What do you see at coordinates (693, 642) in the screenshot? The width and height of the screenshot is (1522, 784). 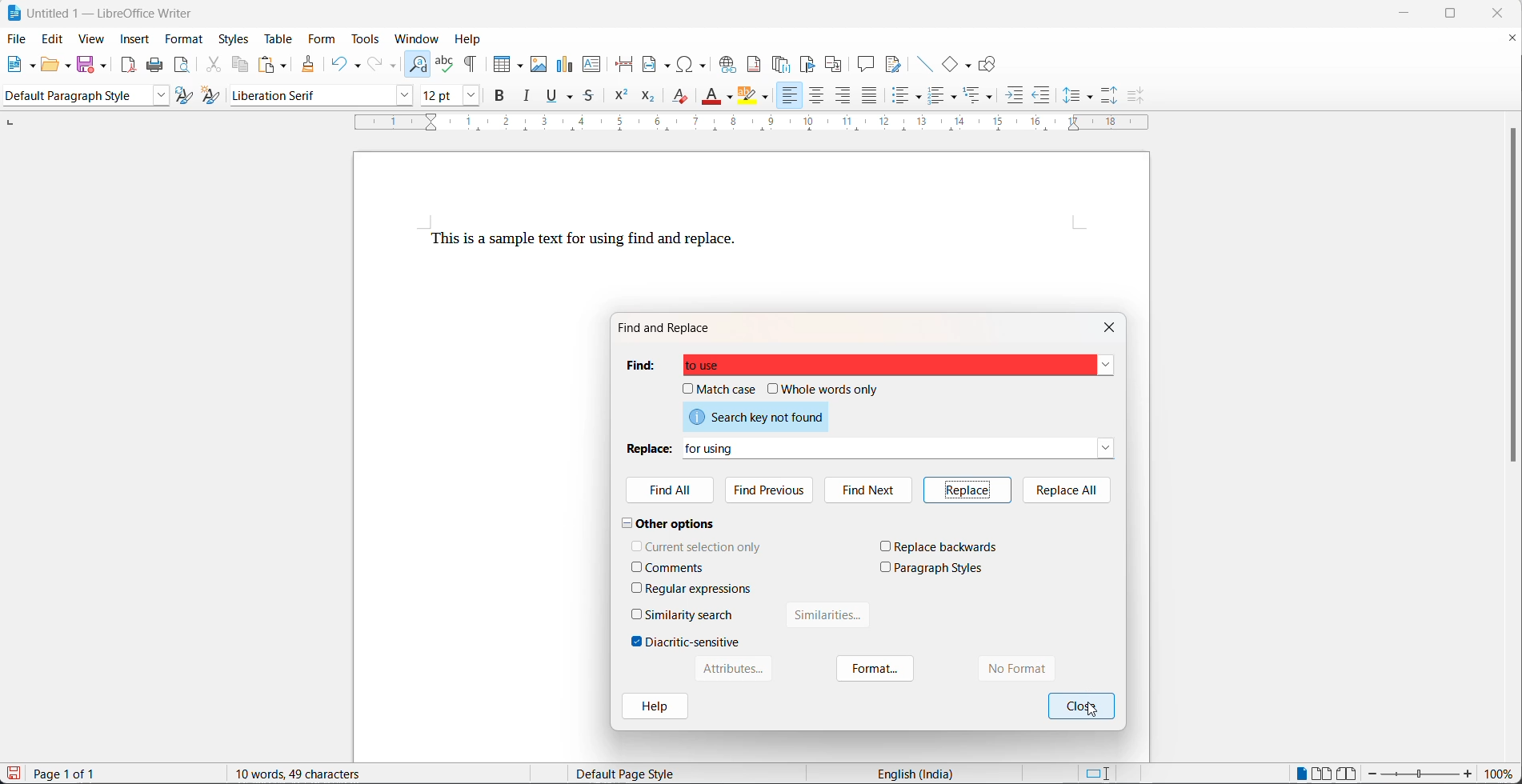 I see `diacritic-sensitive` at bounding box center [693, 642].